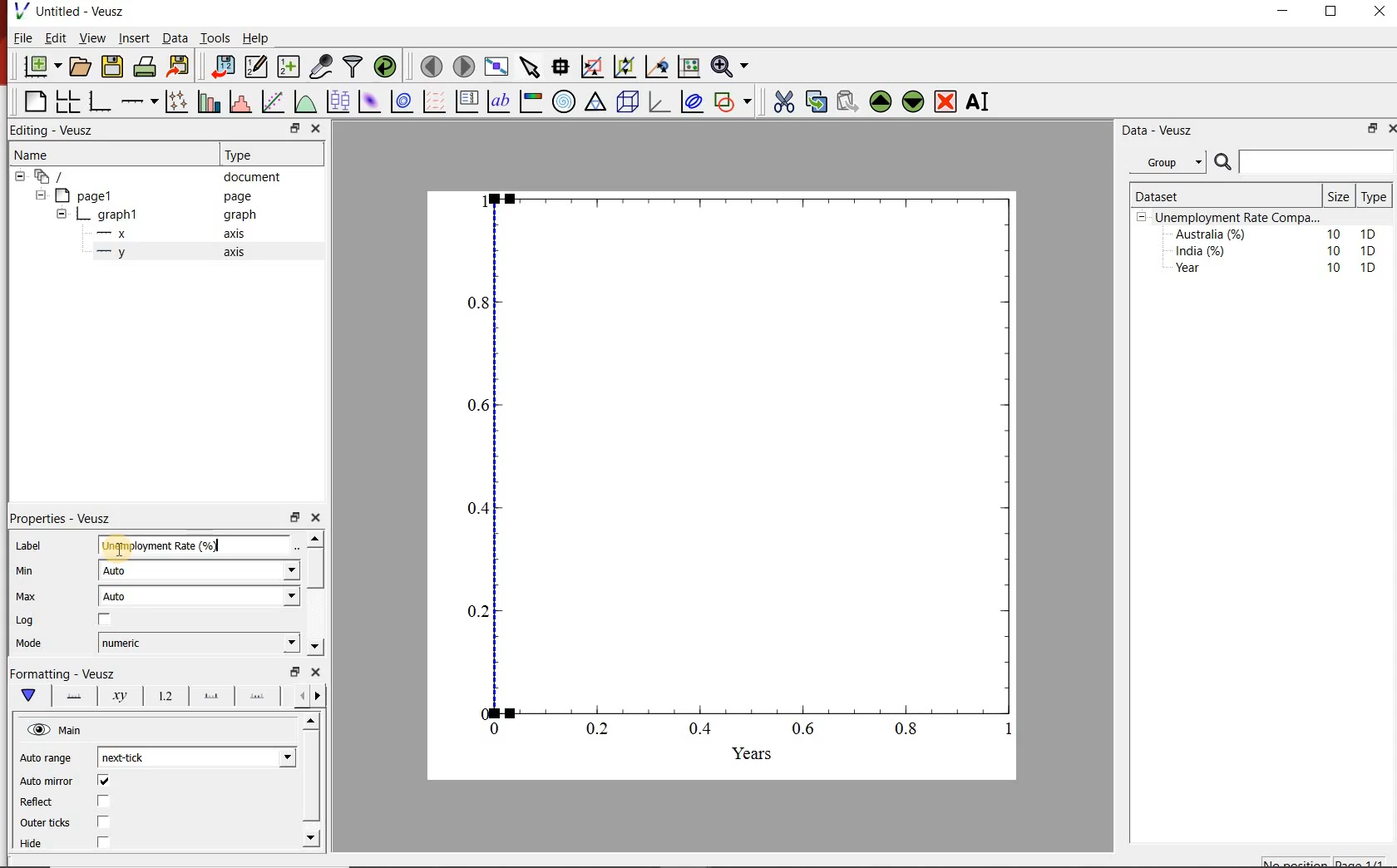 Image resolution: width=1397 pixels, height=868 pixels. I want to click on plot key, so click(466, 102).